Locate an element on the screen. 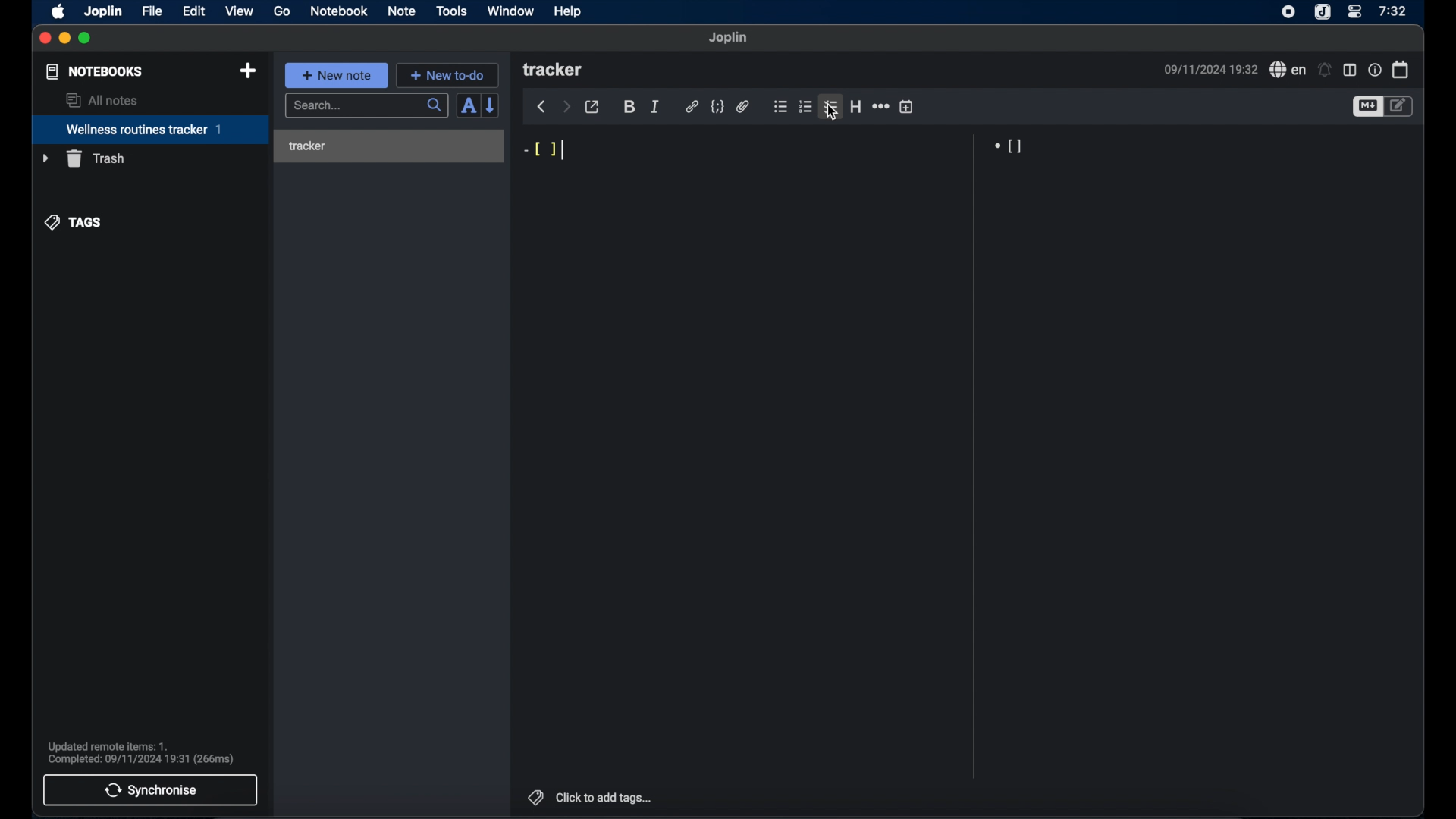 The image size is (1456, 819). toggle external editor is located at coordinates (592, 106).